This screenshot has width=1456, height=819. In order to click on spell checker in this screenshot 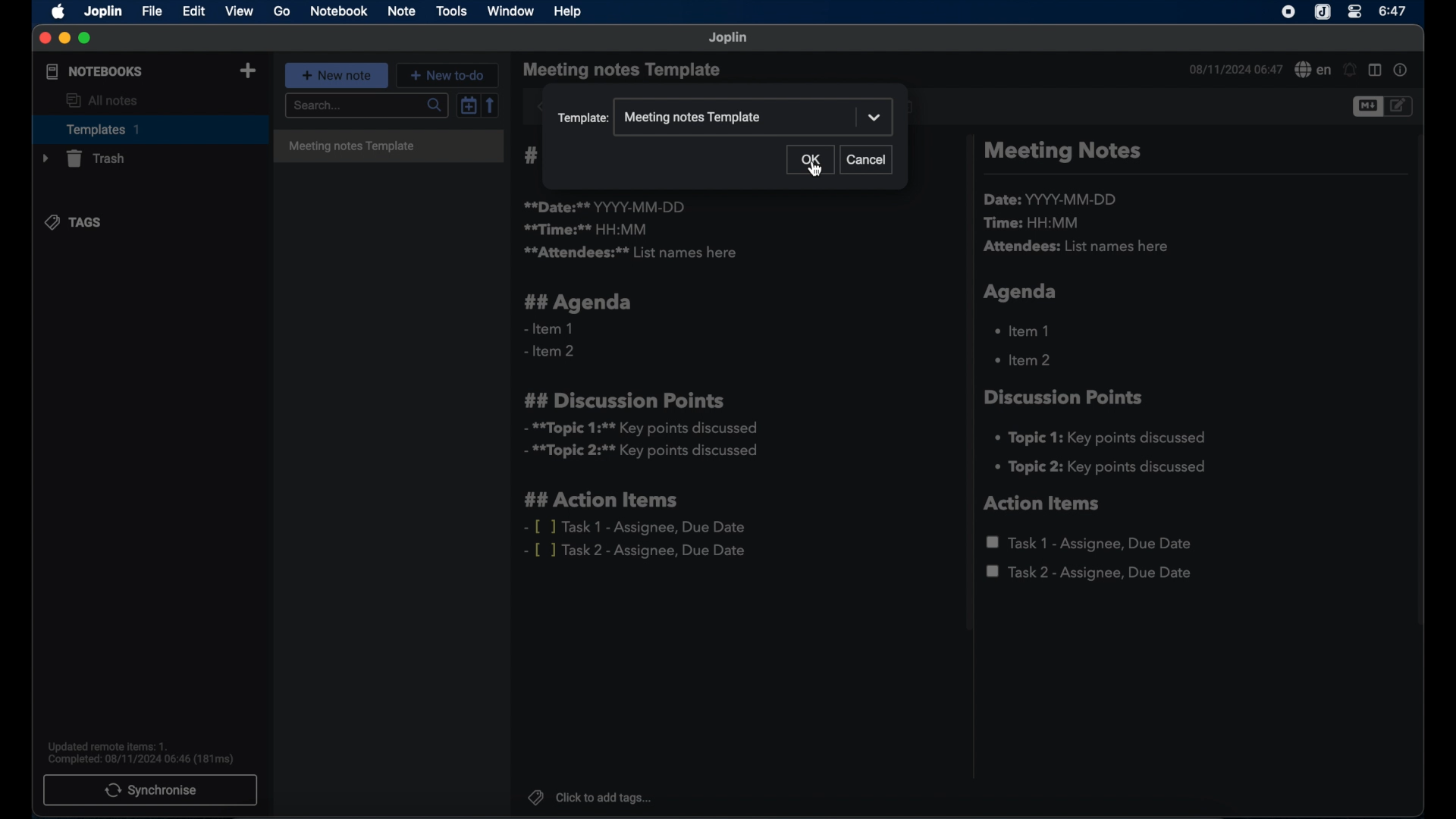, I will do `click(1311, 71)`.